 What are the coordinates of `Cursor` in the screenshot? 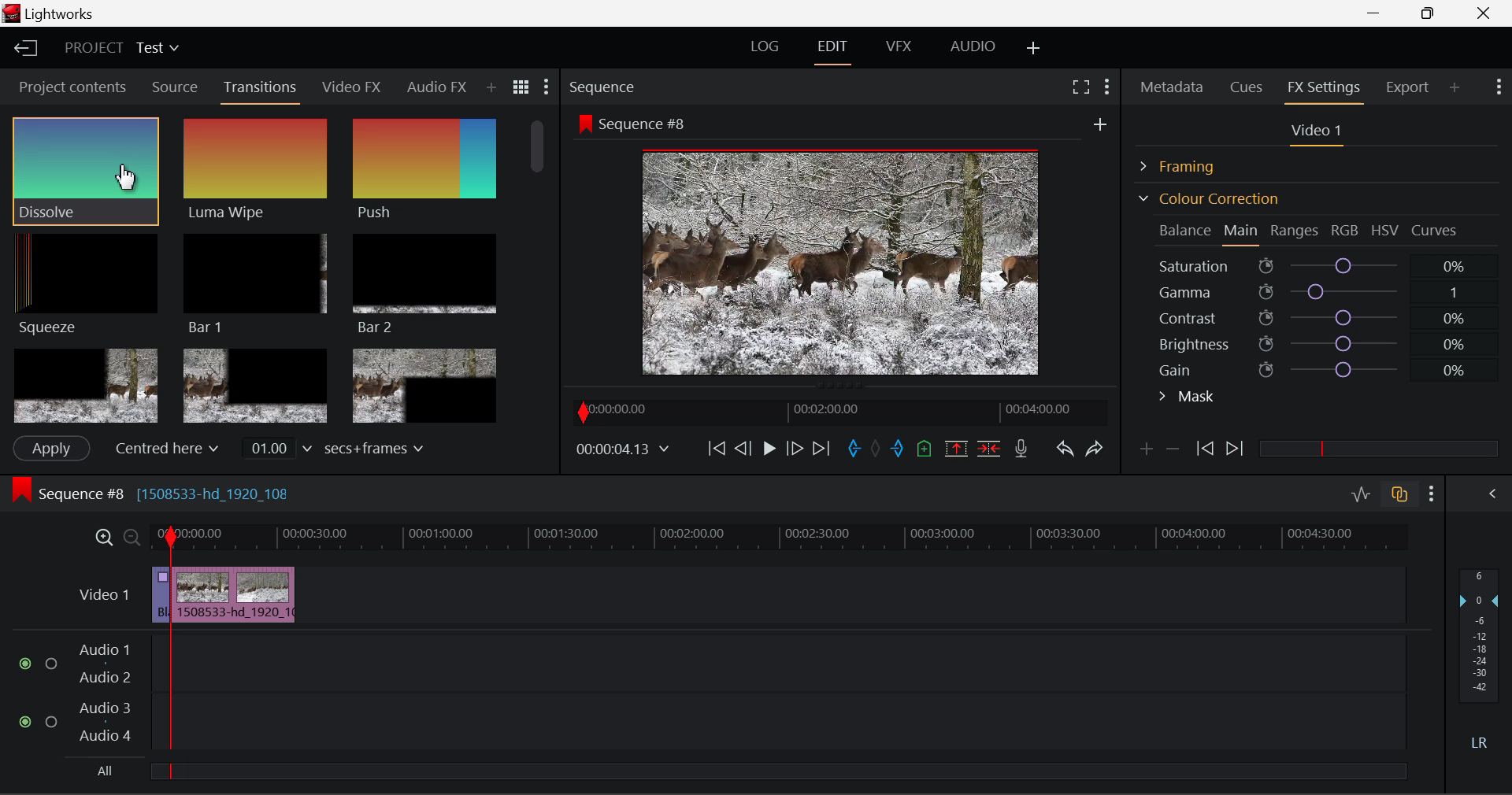 It's located at (128, 179).